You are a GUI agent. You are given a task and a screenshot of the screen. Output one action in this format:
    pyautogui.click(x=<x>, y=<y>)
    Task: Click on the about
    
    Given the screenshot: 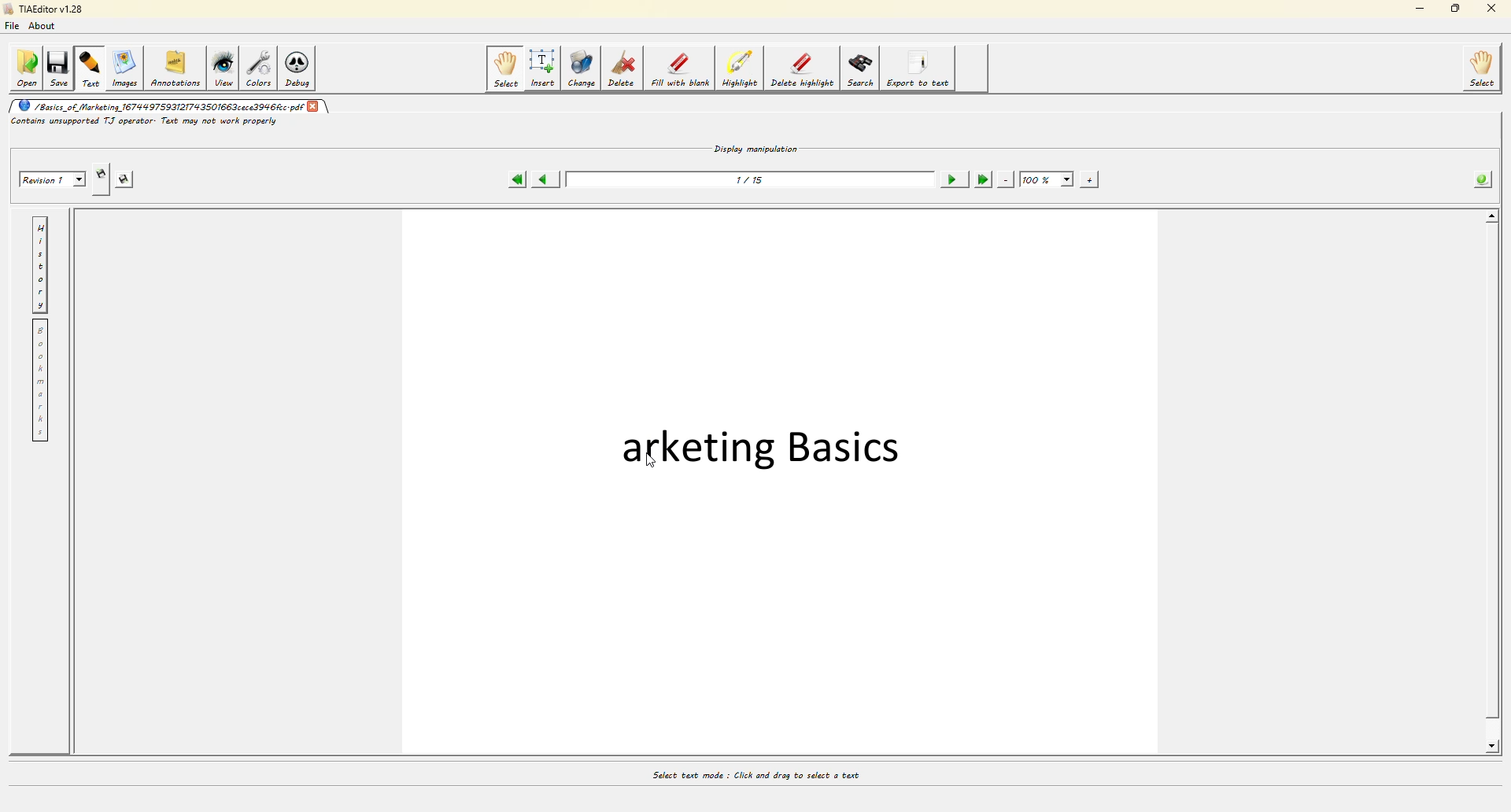 What is the action you would take?
    pyautogui.click(x=46, y=28)
    